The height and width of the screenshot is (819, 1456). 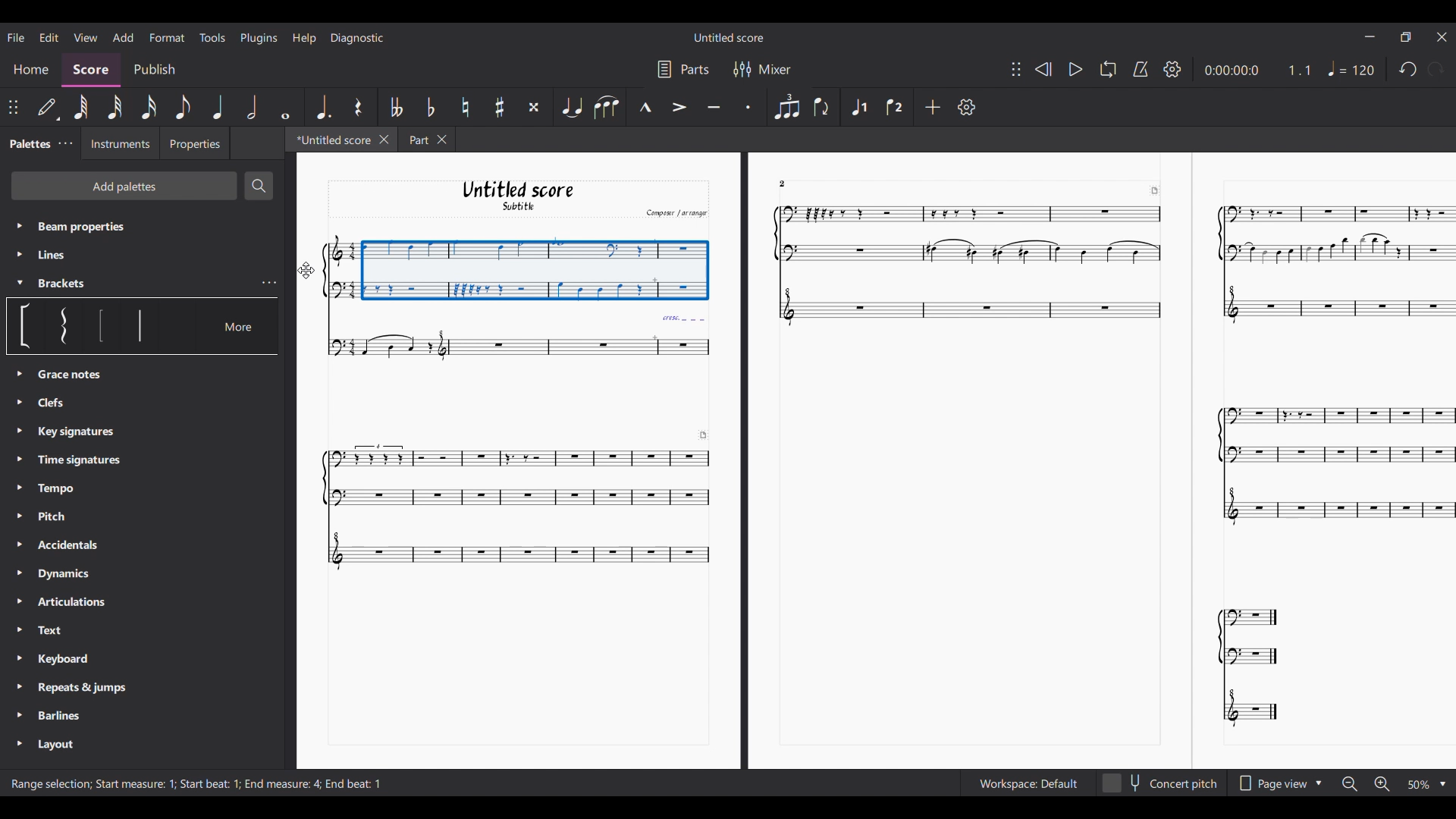 I want to click on , so click(x=664, y=67).